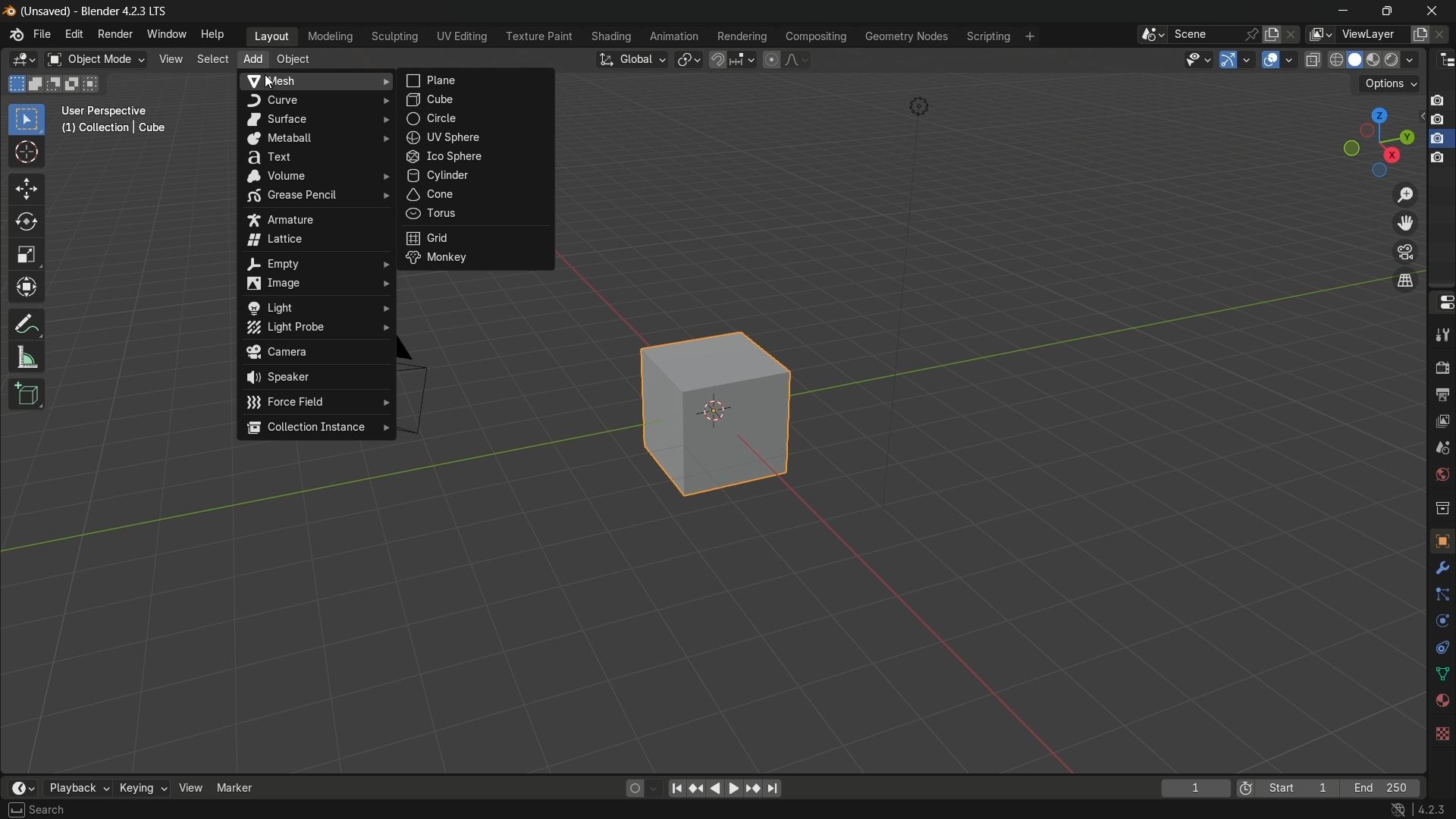 The image size is (1456, 819). I want to click on shading, so click(610, 36).